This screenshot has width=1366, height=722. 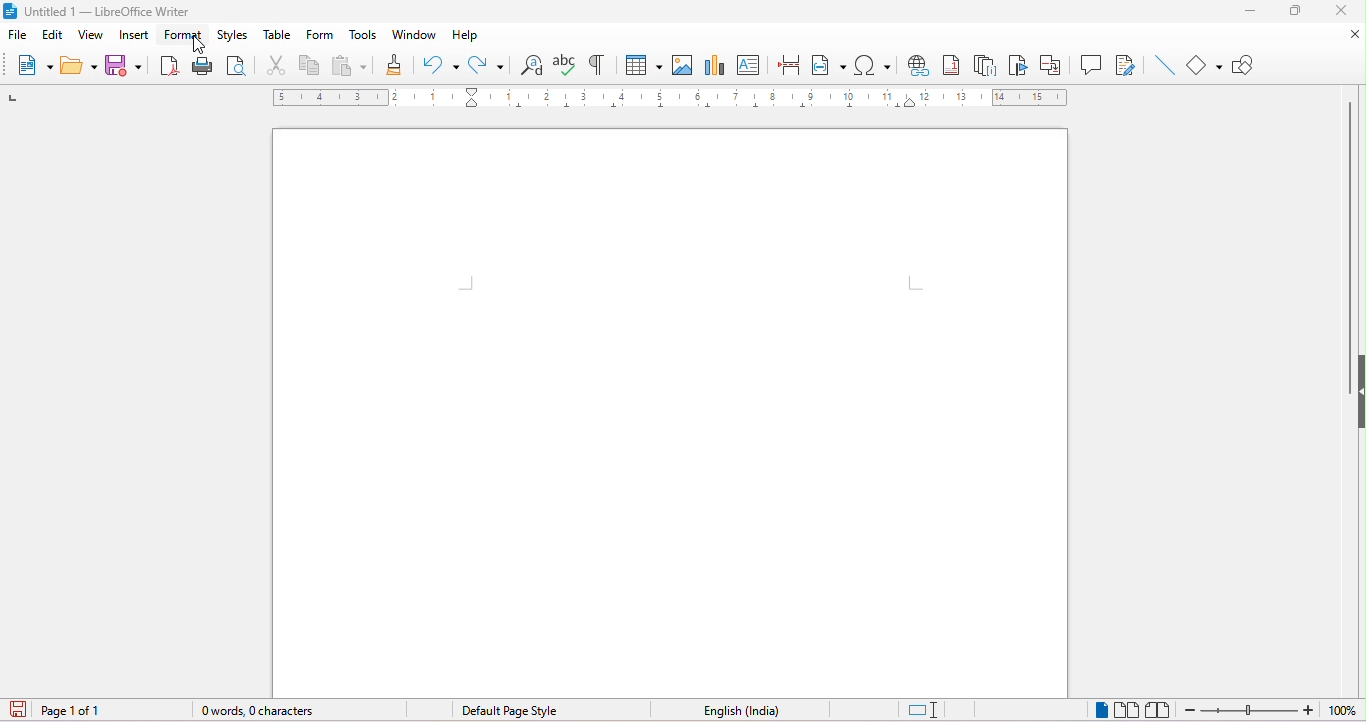 I want to click on endnote, so click(x=989, y=64).